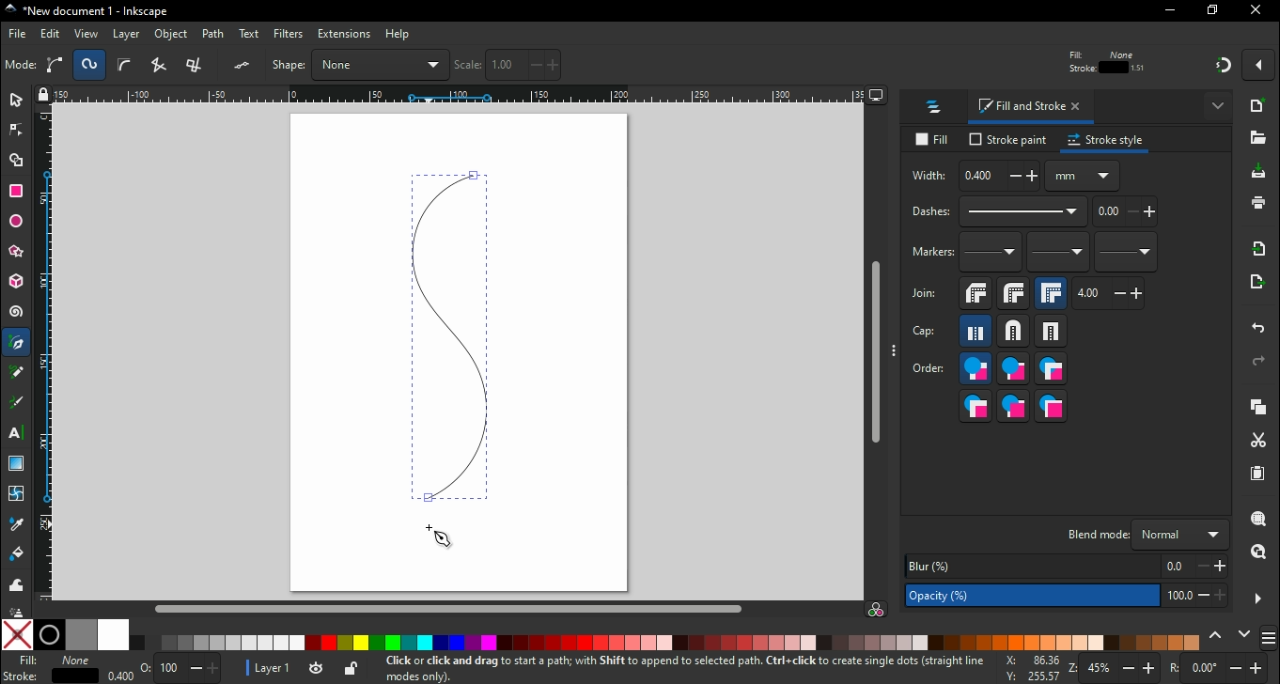  I want to click on selector tool, so click(17, 104).